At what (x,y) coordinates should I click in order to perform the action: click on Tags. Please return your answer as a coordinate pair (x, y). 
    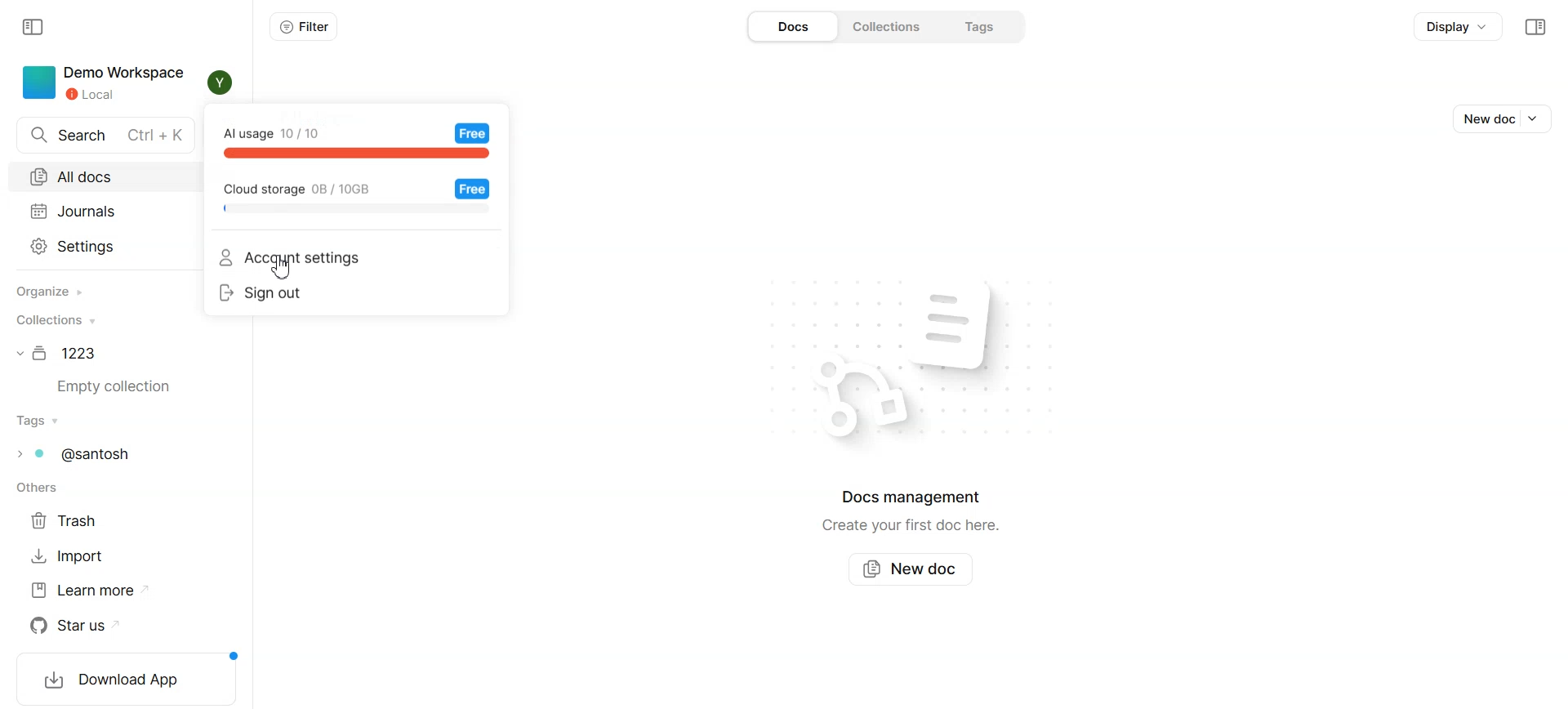
    Looking at the image, I should click on (982, 26).